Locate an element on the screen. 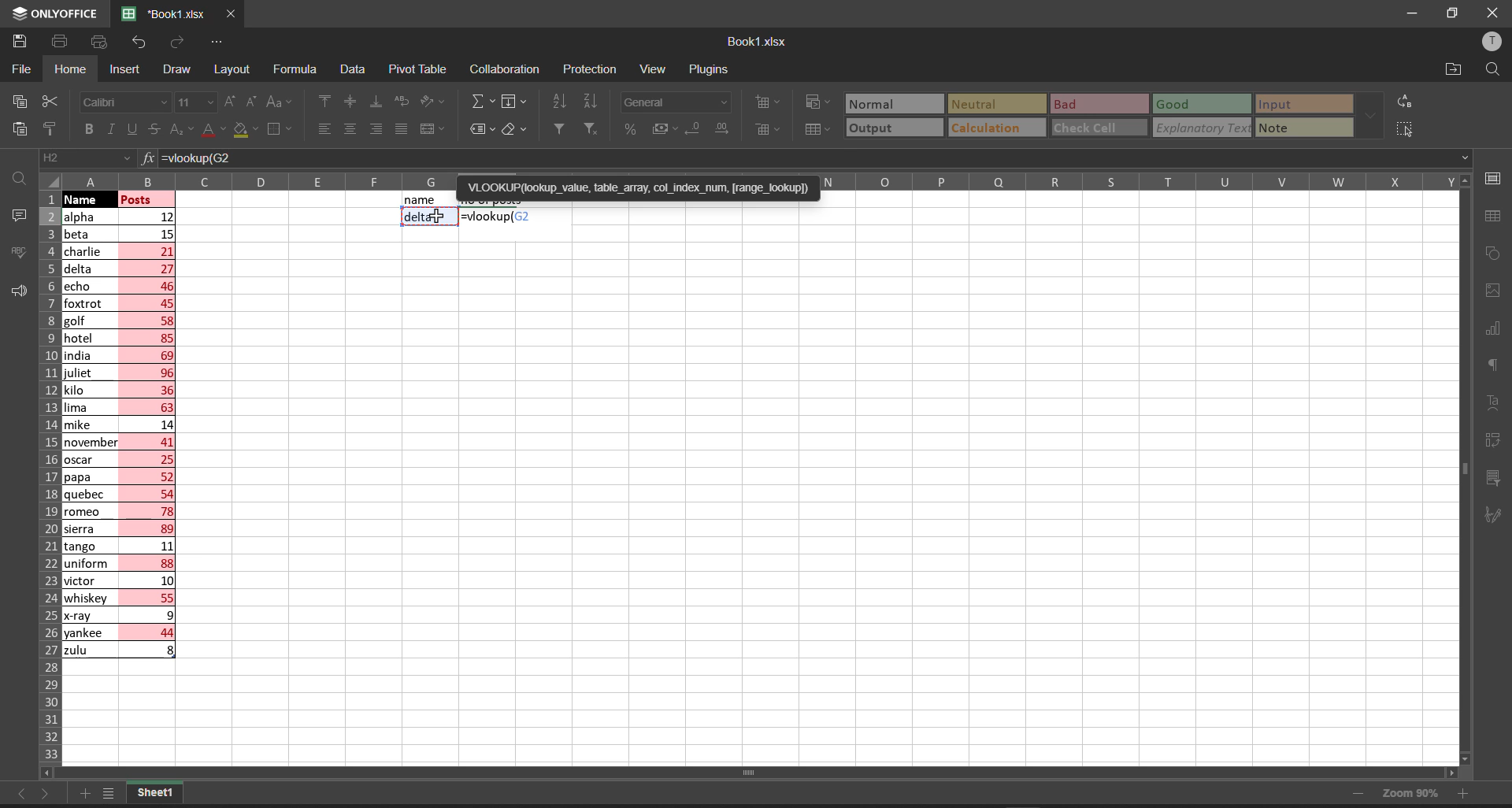  scroll left is located at coordinates (57, 773).